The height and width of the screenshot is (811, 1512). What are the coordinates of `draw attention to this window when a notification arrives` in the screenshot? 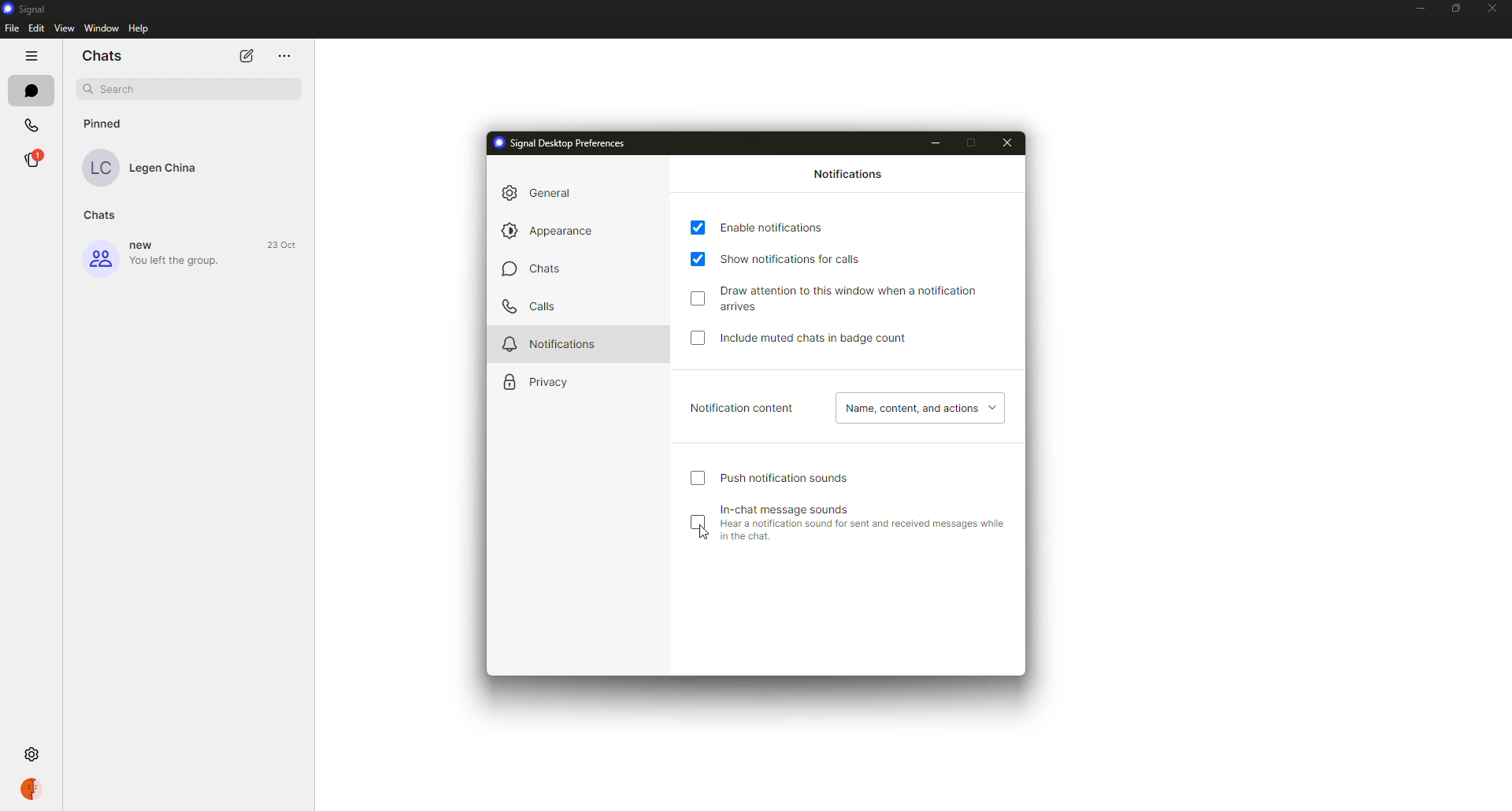 It's located at (852, 298).